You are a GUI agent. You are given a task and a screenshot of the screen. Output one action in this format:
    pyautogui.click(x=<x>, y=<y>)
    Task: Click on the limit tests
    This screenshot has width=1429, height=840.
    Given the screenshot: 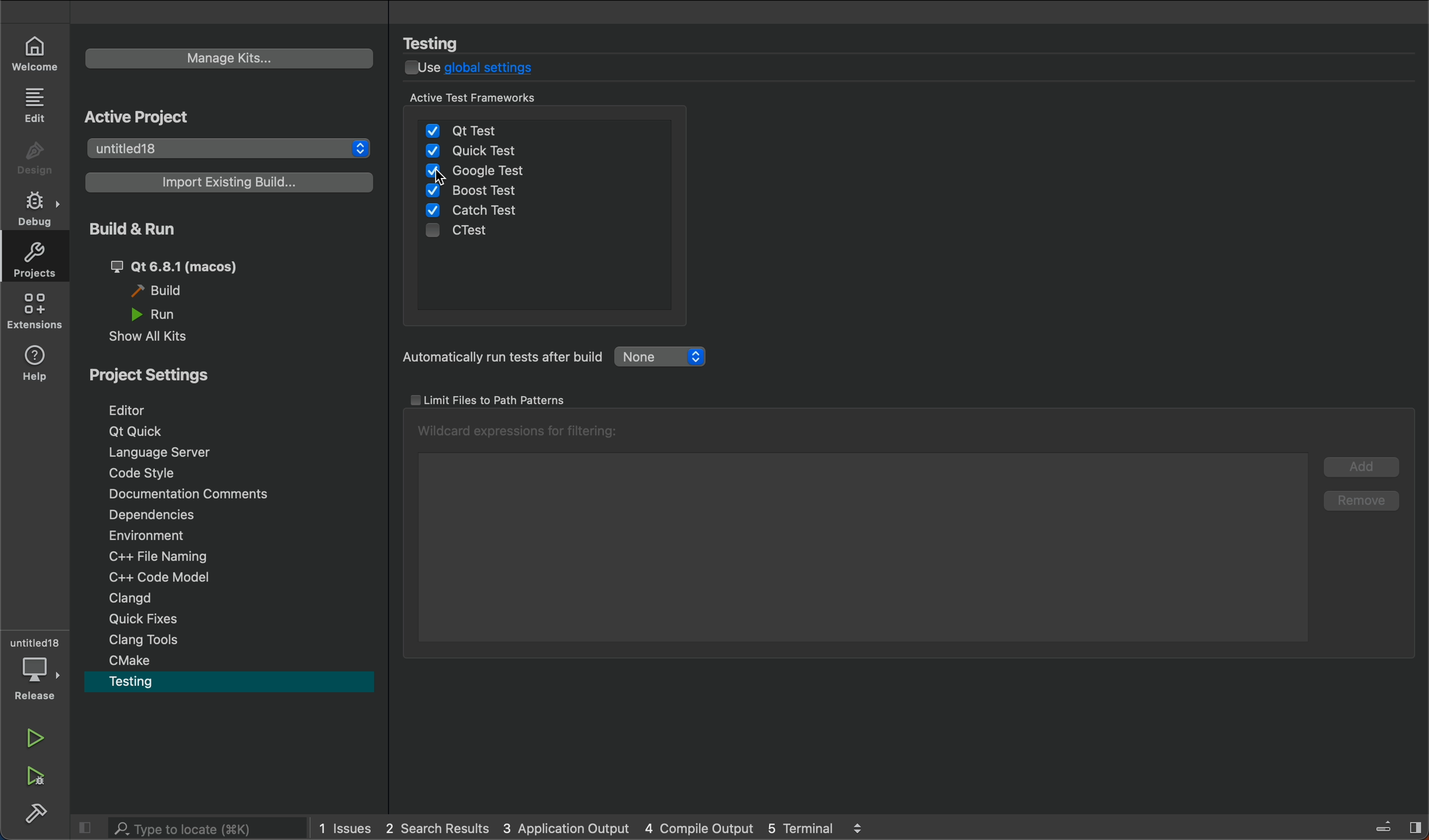 What is the action you would take?
    pyautogui.click(x=489, y=398)
    